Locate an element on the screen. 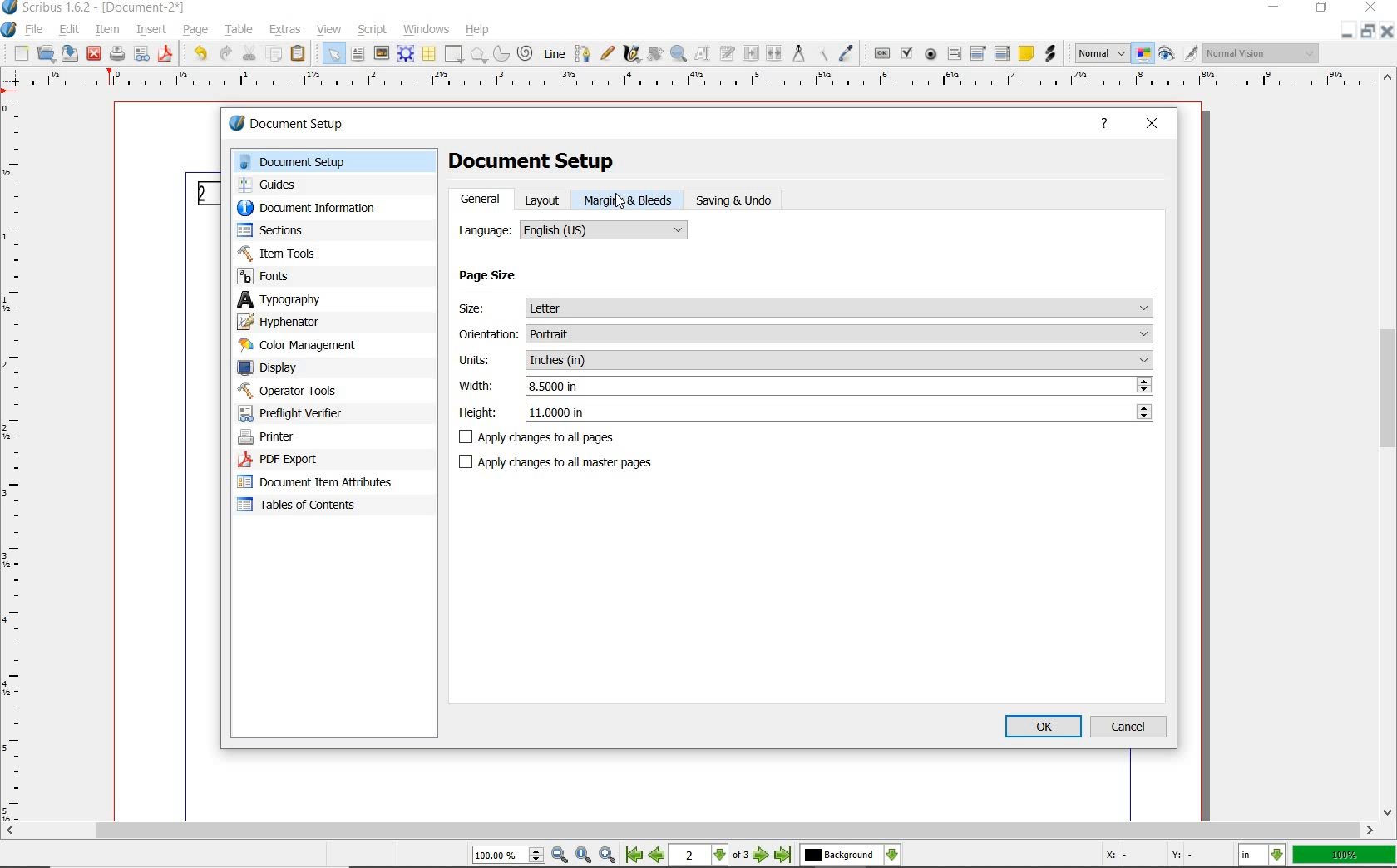  unlink text frames is located at coordinates (774, 53).